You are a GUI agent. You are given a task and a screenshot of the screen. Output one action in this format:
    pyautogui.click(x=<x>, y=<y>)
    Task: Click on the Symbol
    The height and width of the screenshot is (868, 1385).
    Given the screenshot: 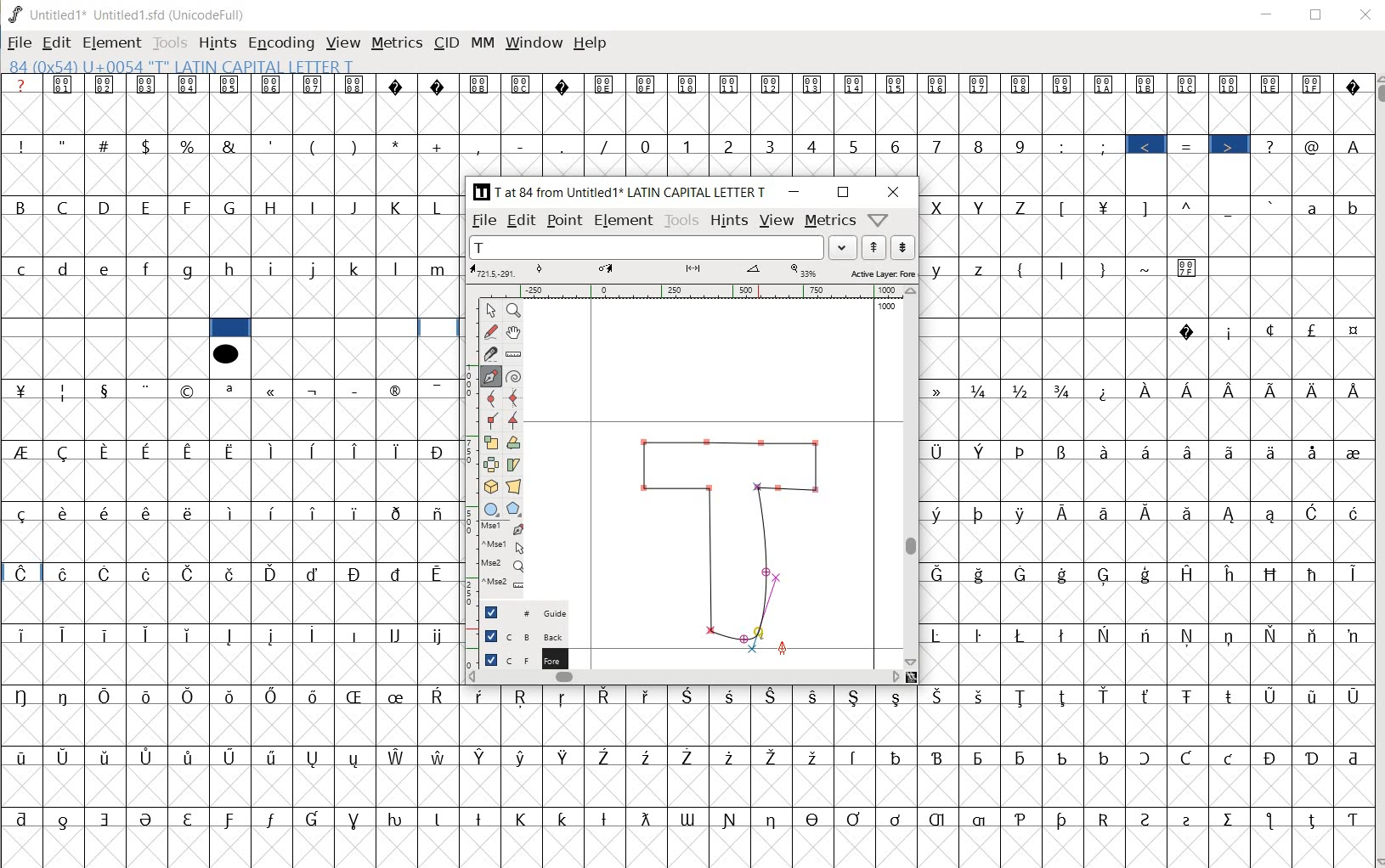 What is the action you would take?
    pyautogui.click(x=1066, y=819)
    